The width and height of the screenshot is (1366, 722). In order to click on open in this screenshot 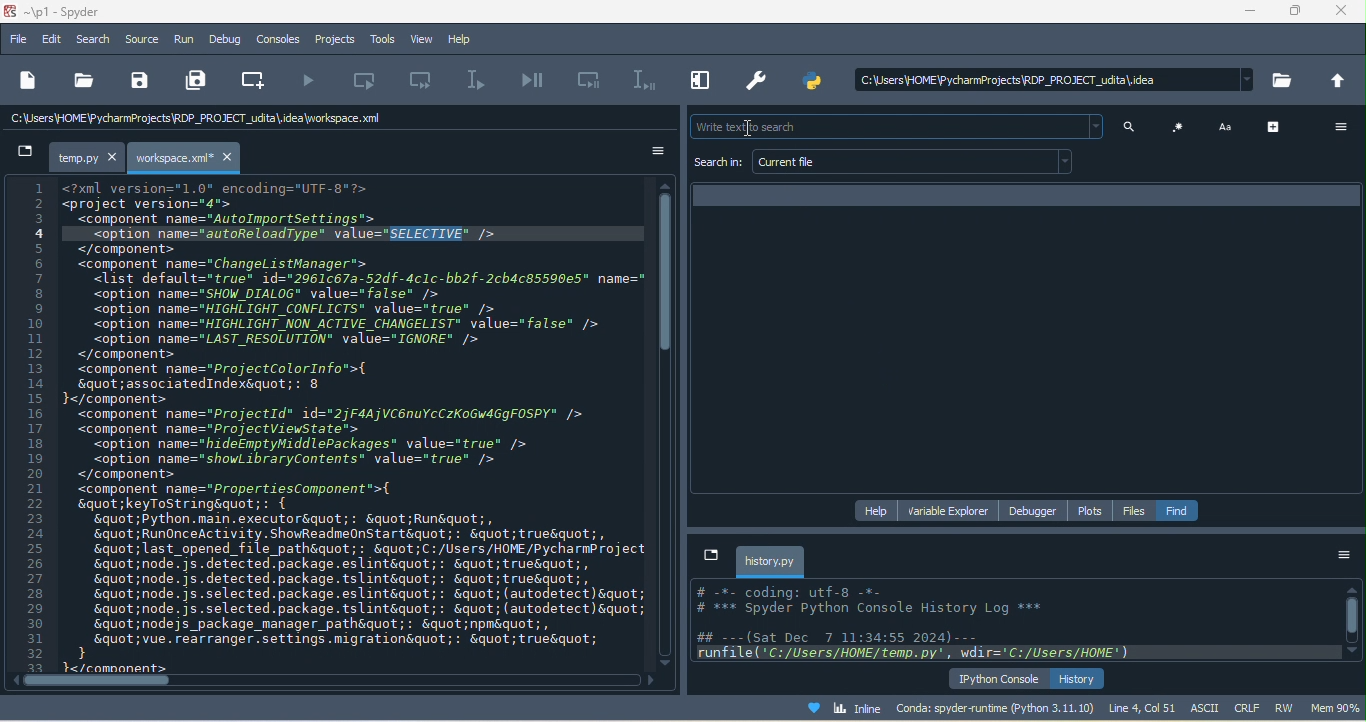, I will do `click(83, 80)`.